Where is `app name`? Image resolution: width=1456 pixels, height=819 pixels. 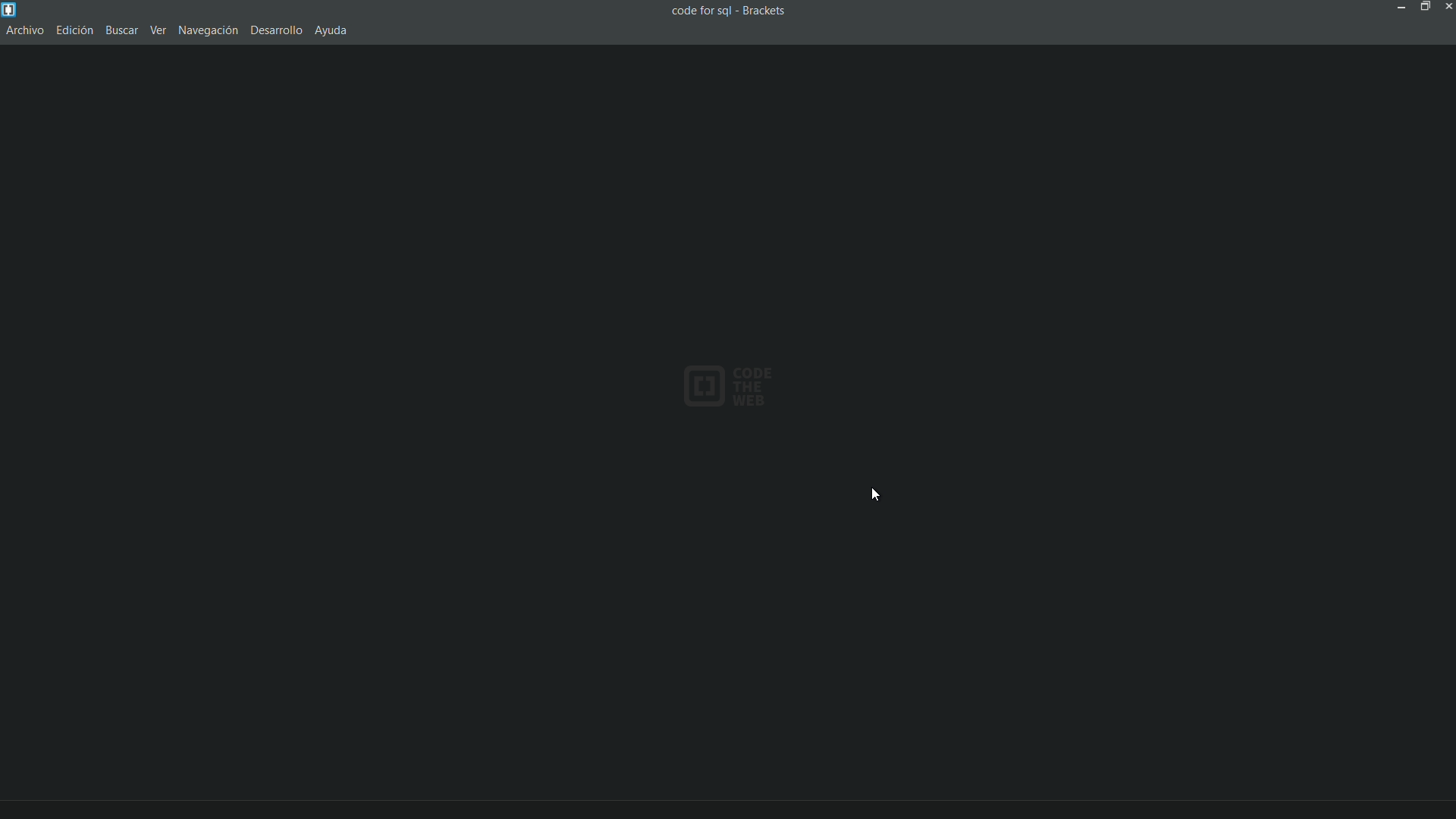 app name is located at coordinates (766, 11).